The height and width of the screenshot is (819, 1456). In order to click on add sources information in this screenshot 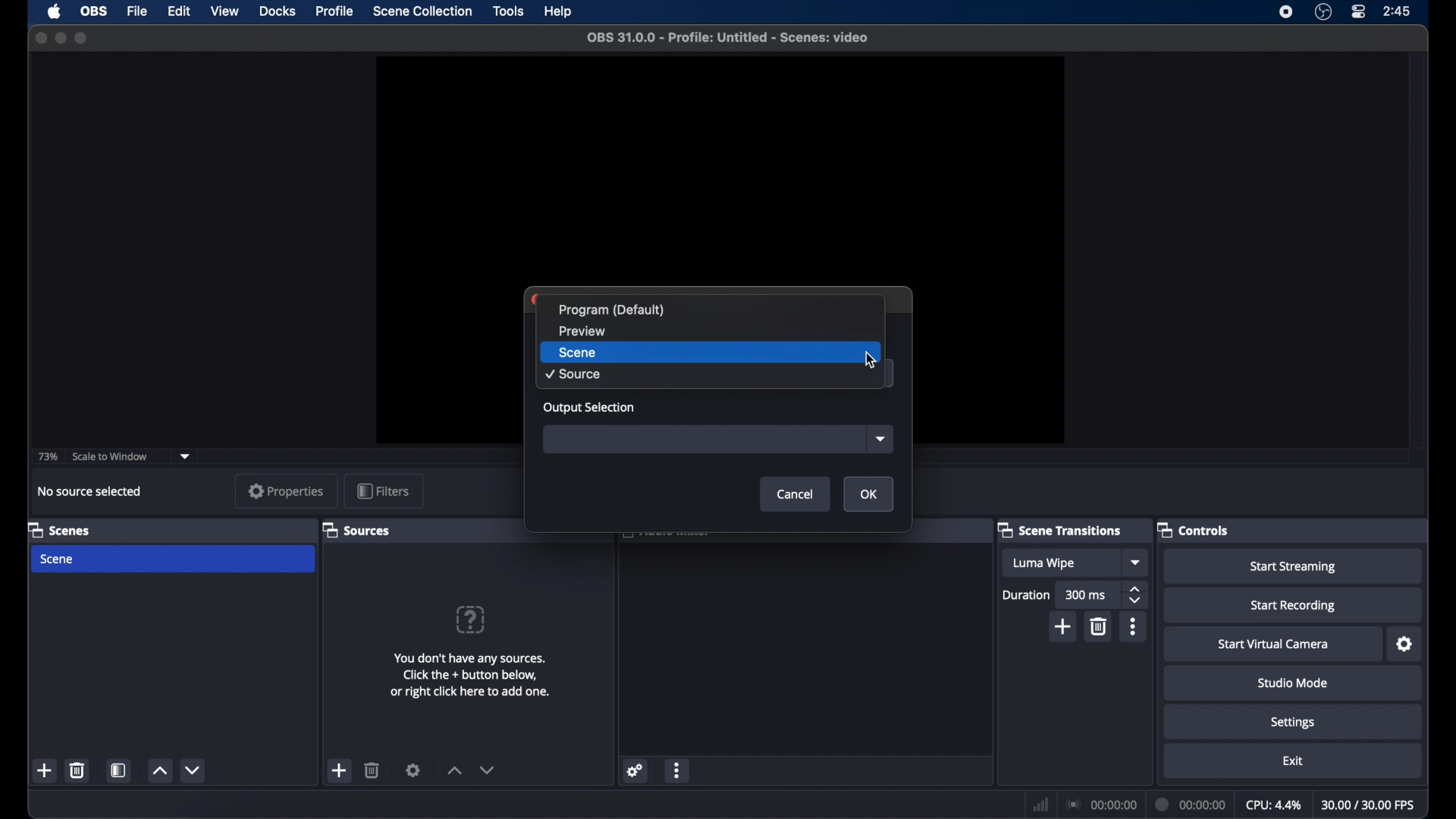, I will do `click(469, 675)`.